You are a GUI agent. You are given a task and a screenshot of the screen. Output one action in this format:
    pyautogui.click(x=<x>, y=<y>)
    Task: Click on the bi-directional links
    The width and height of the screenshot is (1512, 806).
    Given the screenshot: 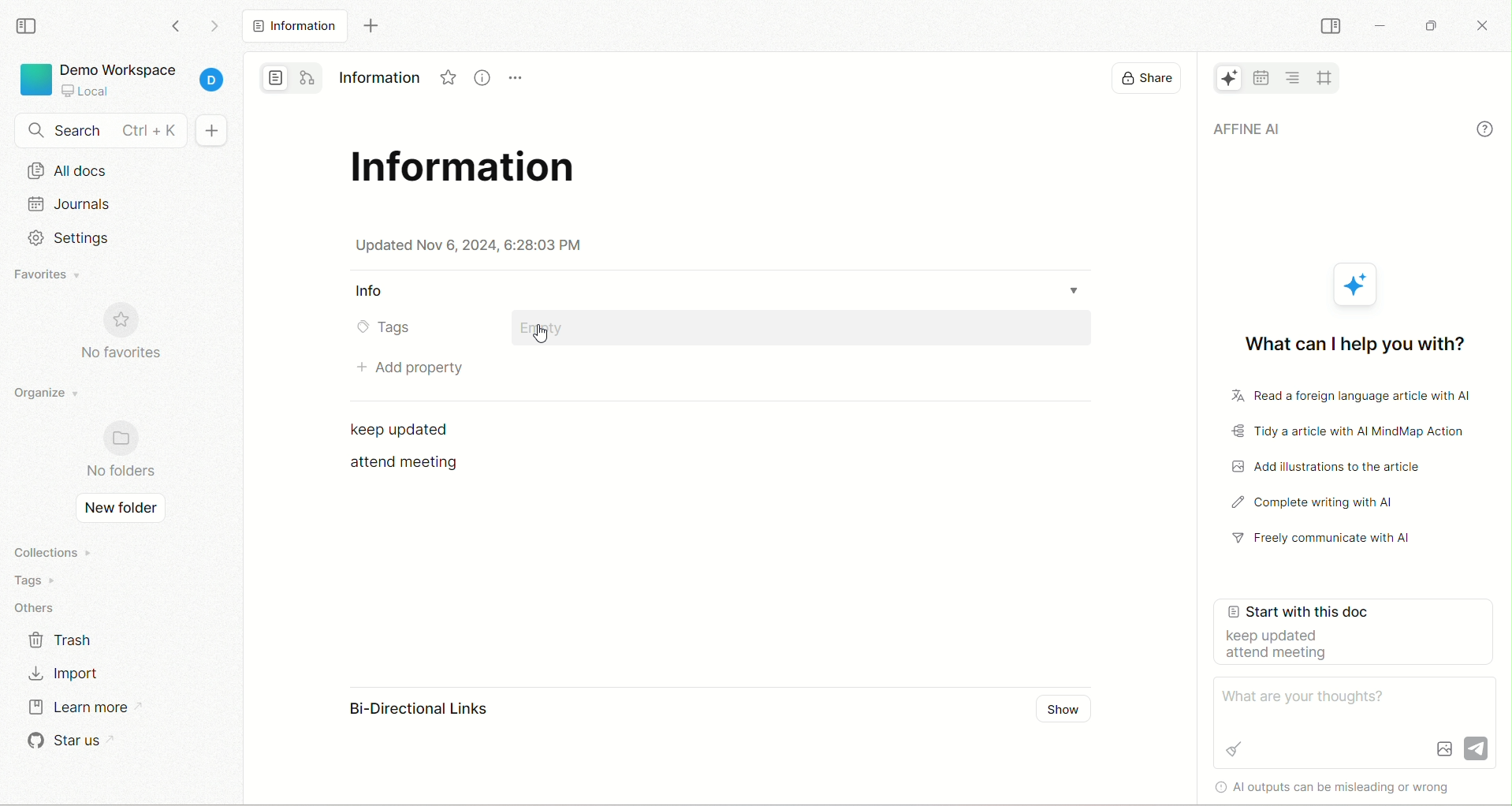 What is the action you would take?
    pyautogui.click(x=403, y=711)
    